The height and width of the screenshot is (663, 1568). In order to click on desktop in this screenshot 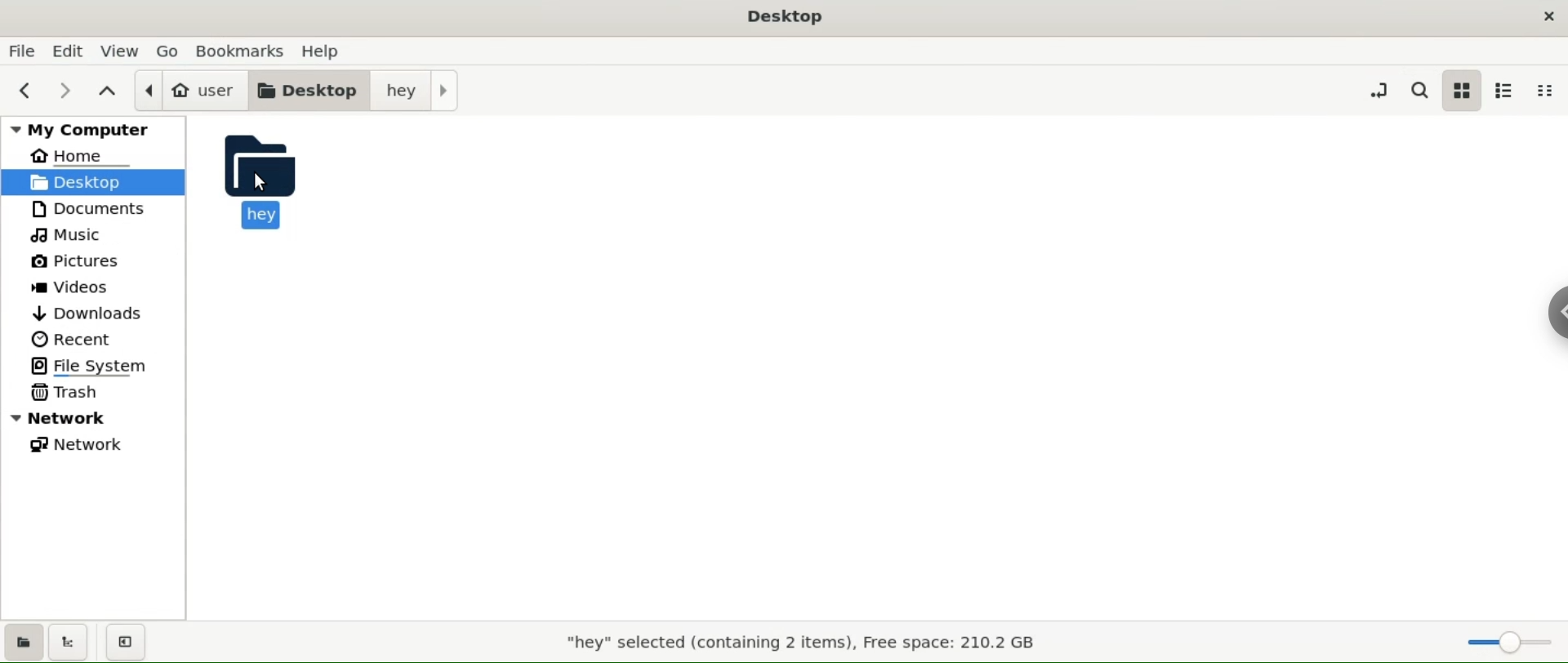, I will do `click(93, 183)`.